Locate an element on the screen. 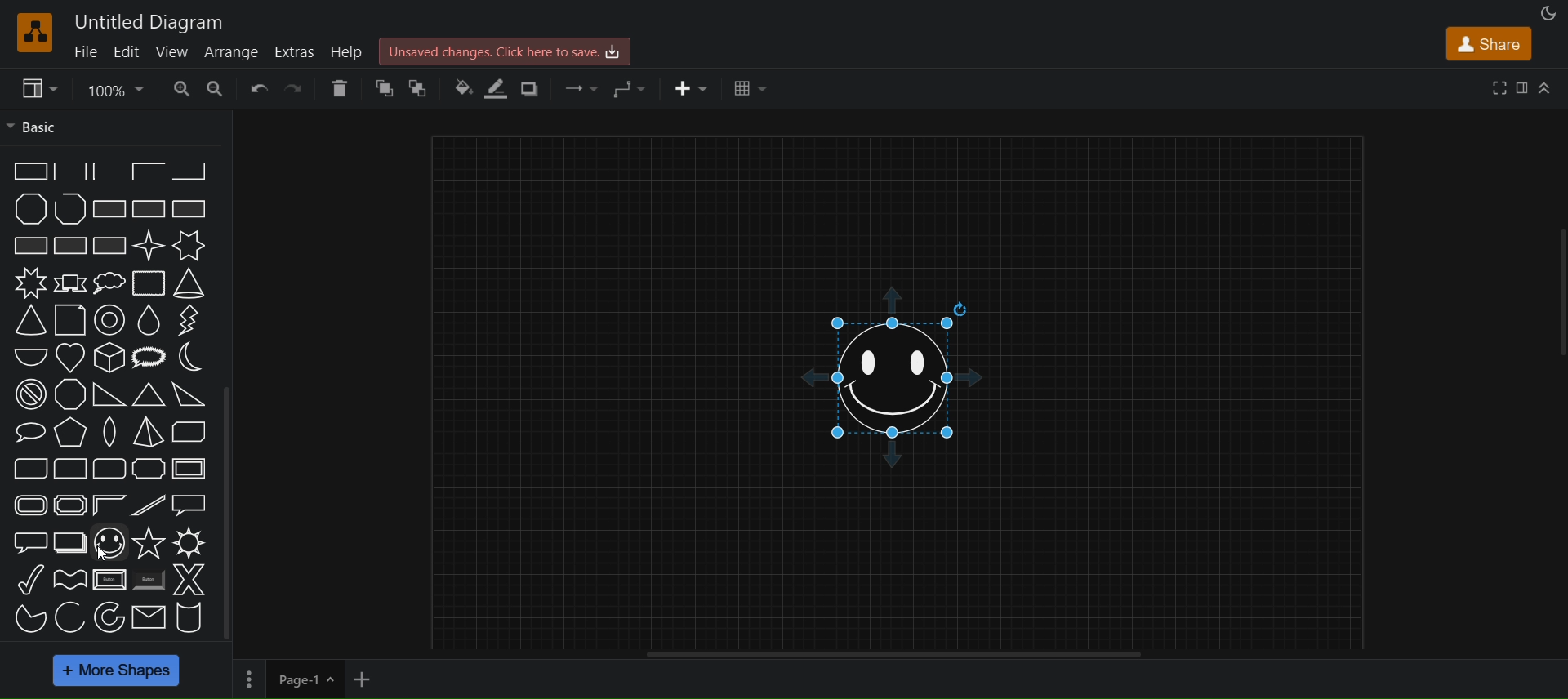 The width and height of the screenshot is (1568, 699). donut is located at coordinates (114, 321).